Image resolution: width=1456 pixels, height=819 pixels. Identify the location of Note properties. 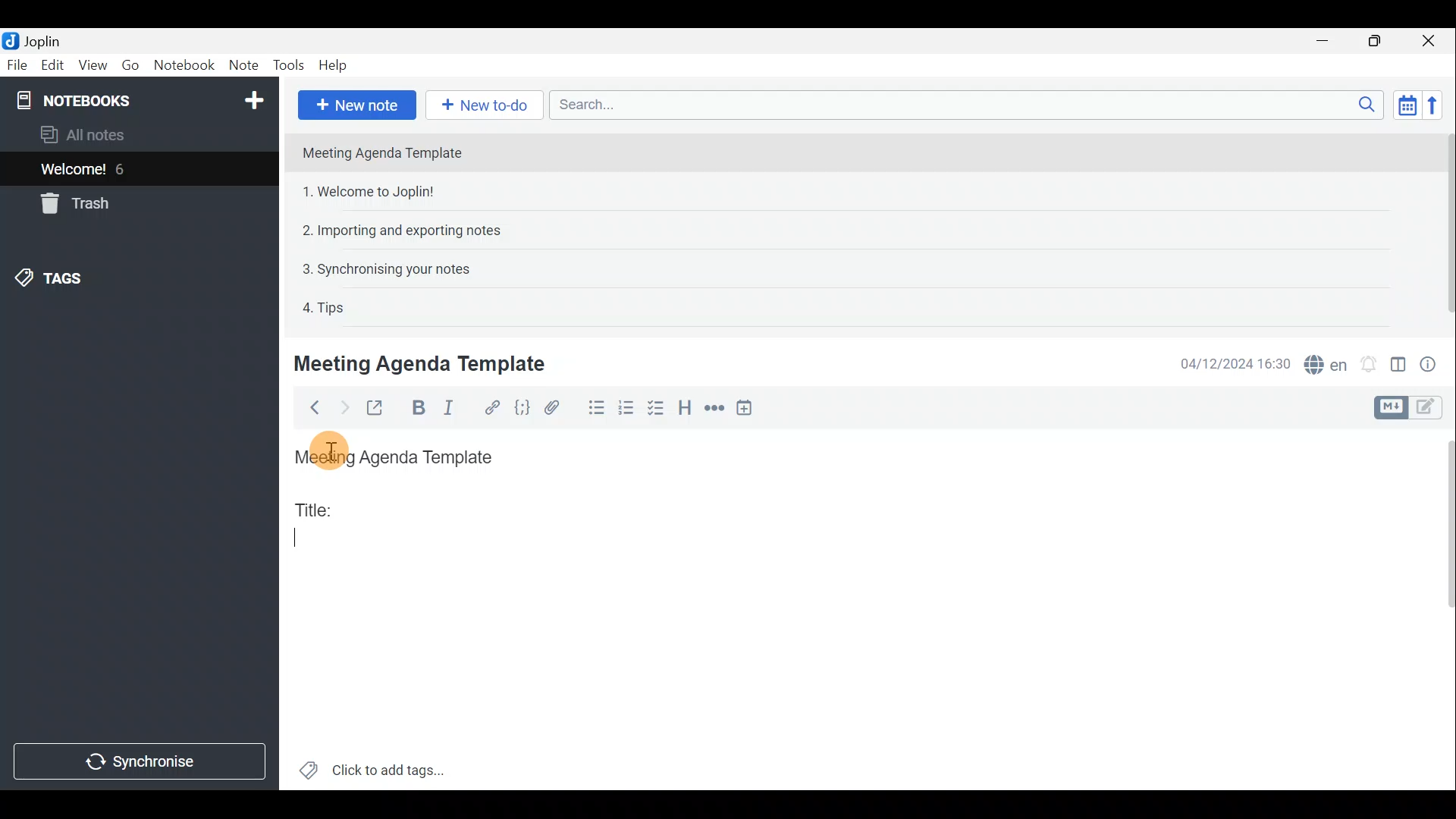
(1433, 363).